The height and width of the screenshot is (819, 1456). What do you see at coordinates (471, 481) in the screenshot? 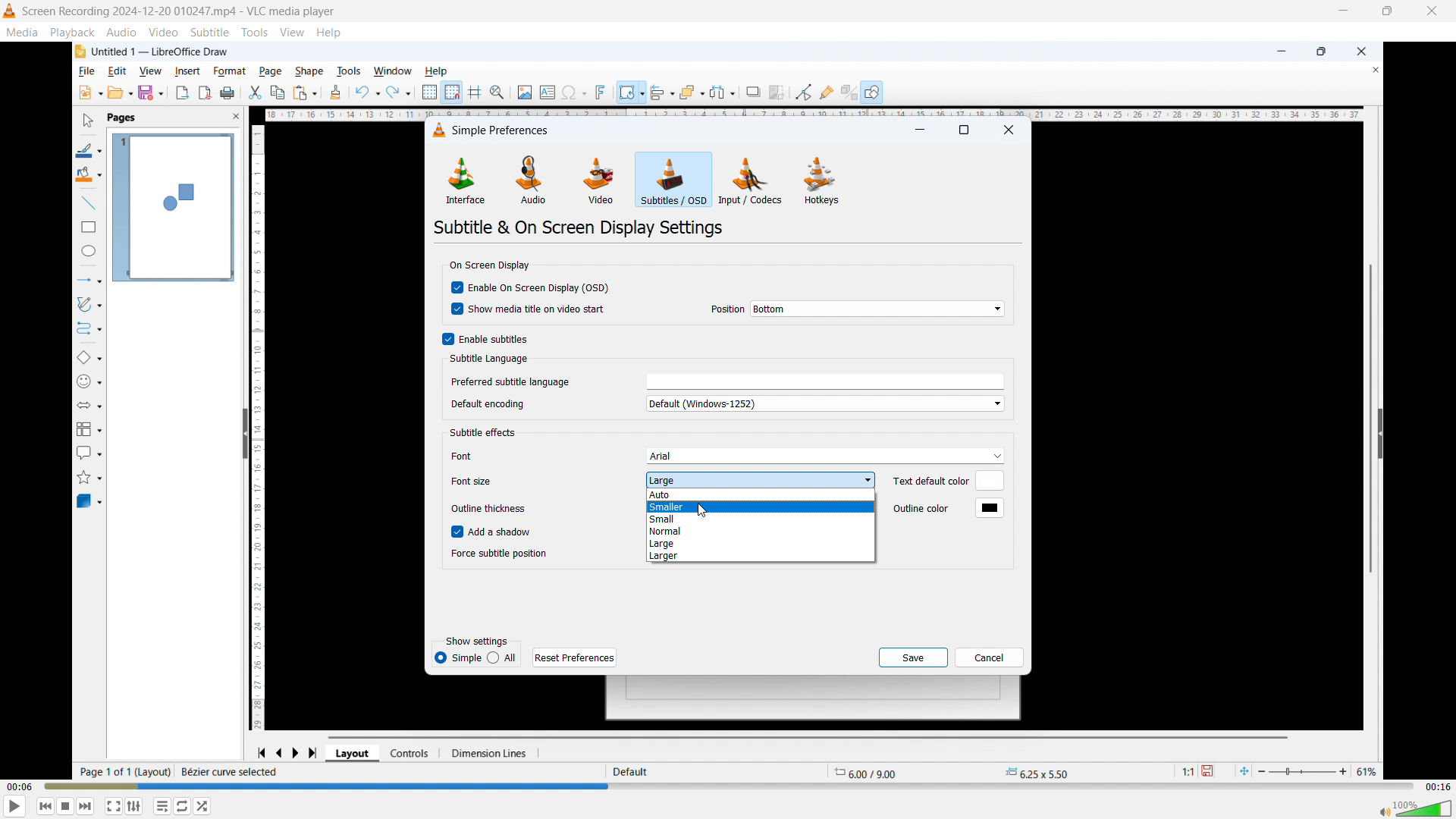
I see `Font size` at bounding box center [471, 481].